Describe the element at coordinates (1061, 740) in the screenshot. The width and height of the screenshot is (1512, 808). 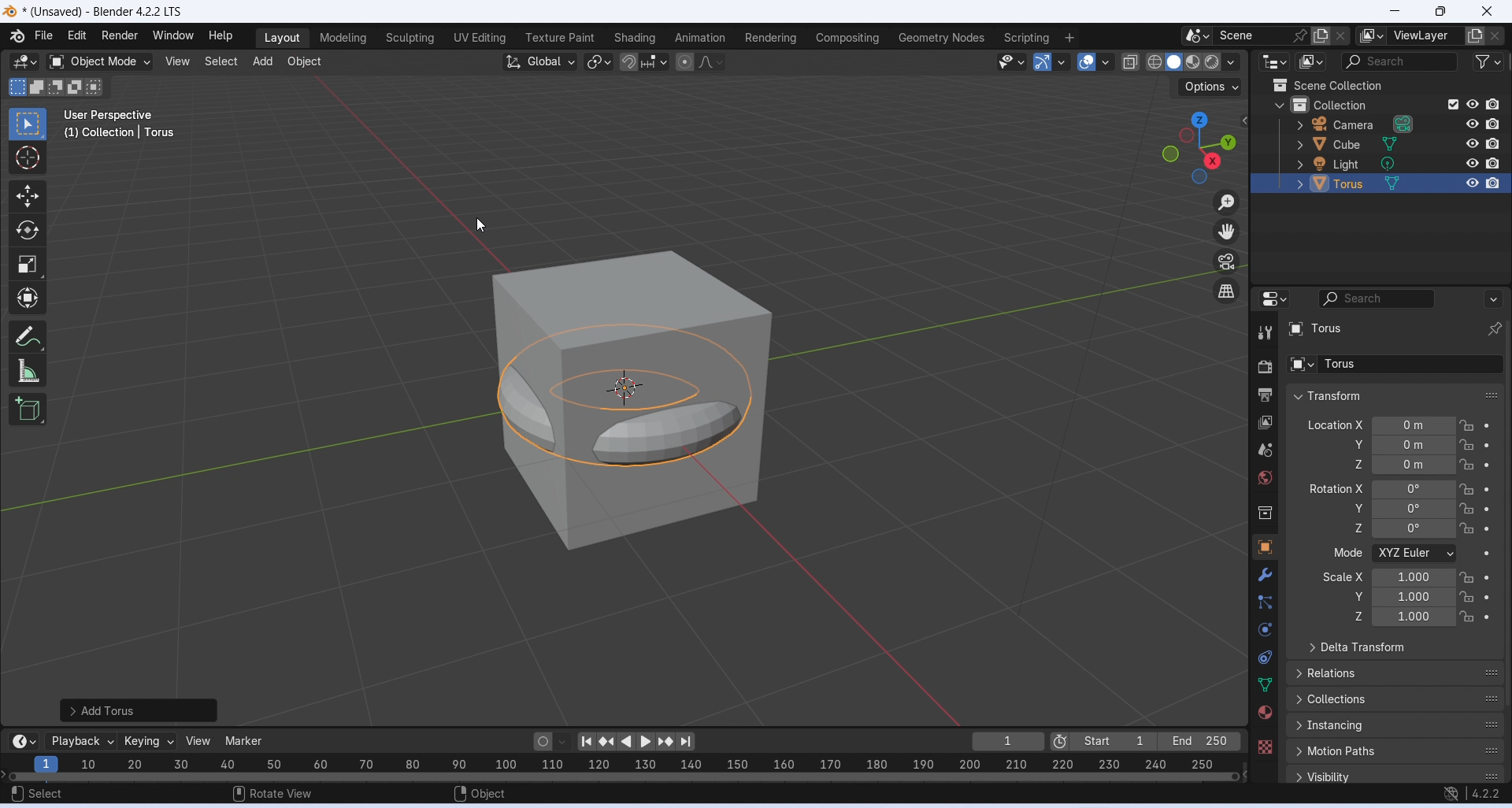
I see `Use preview range` at that location.